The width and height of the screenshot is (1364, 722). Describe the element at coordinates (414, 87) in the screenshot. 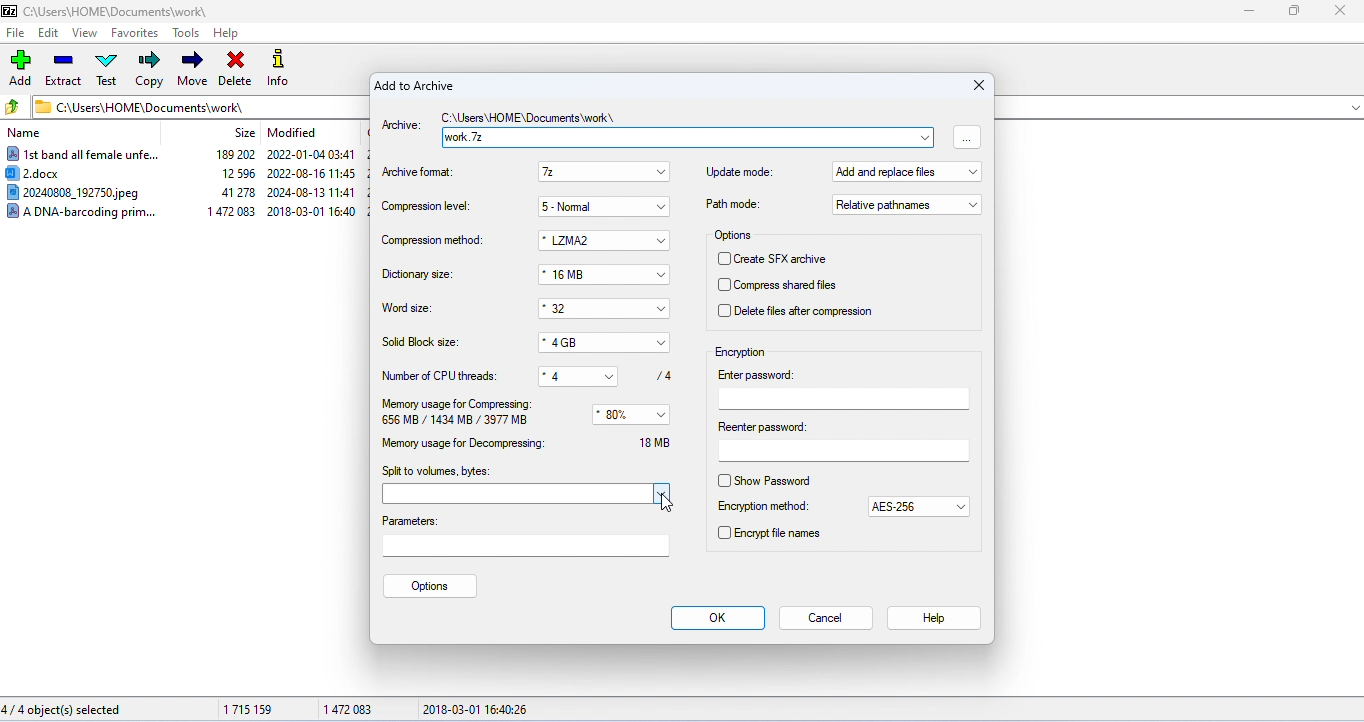

I see `add to archive` at that location.